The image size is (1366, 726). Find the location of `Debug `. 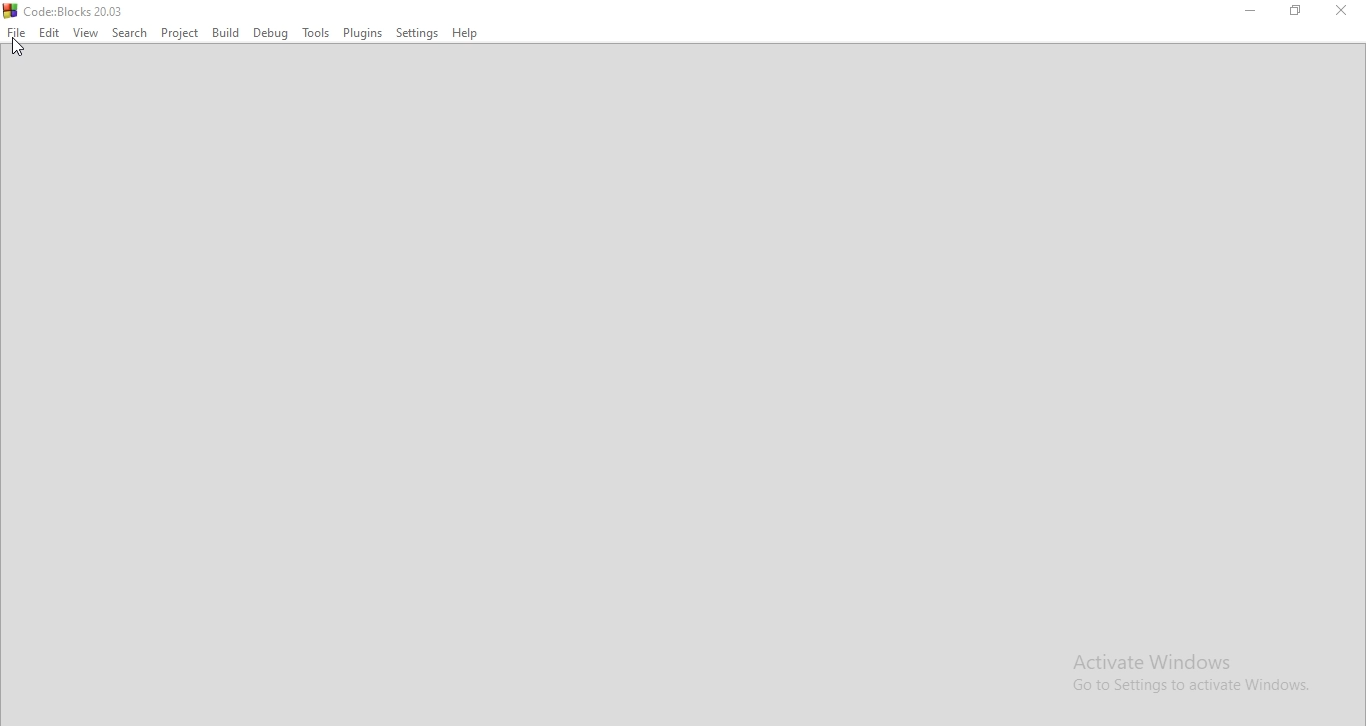

Debug  is located at coordinates (269, 34).